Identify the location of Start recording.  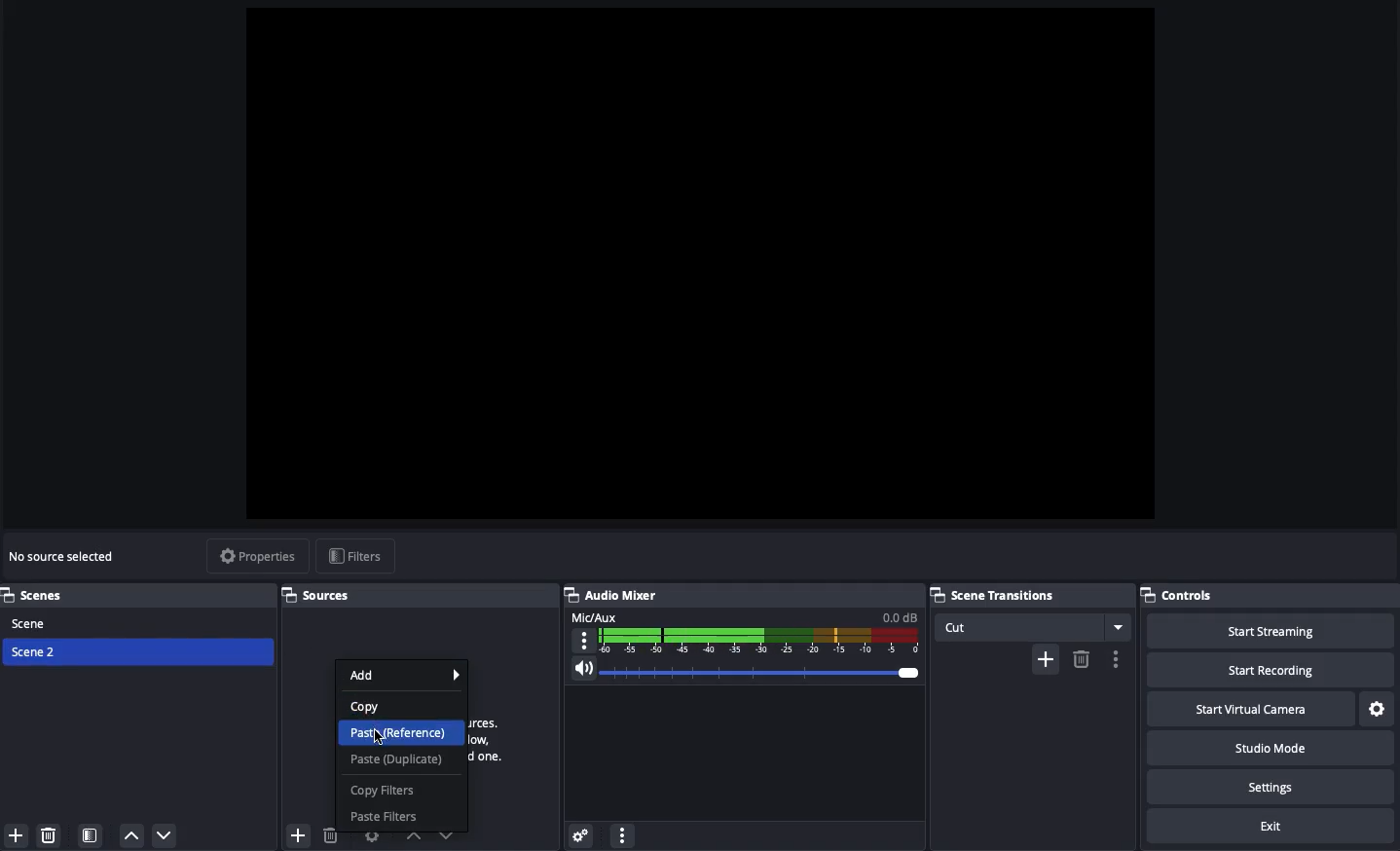
(1265, 669).